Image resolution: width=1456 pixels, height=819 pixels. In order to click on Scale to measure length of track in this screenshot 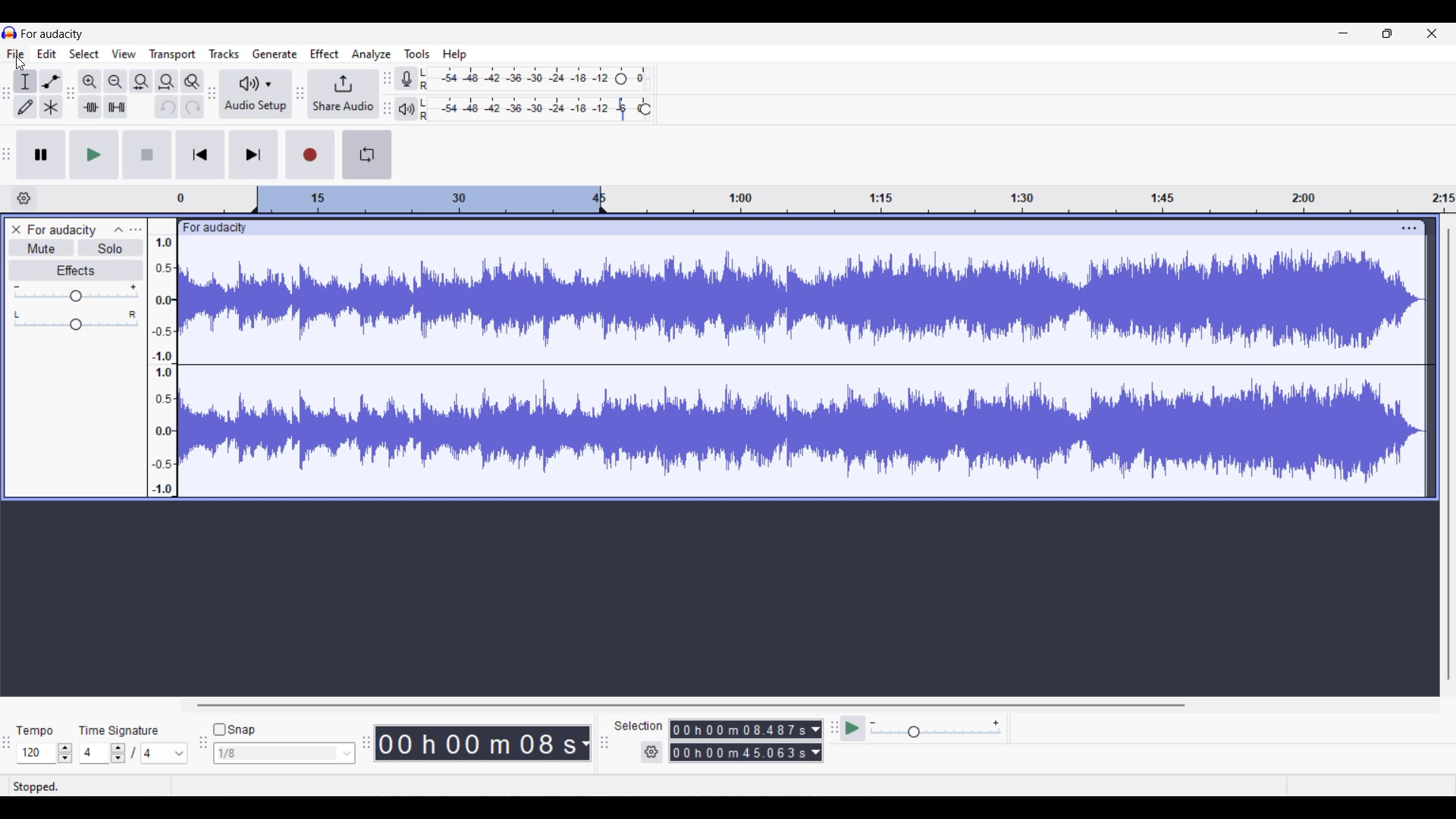, I will do `click(815, 199)`.